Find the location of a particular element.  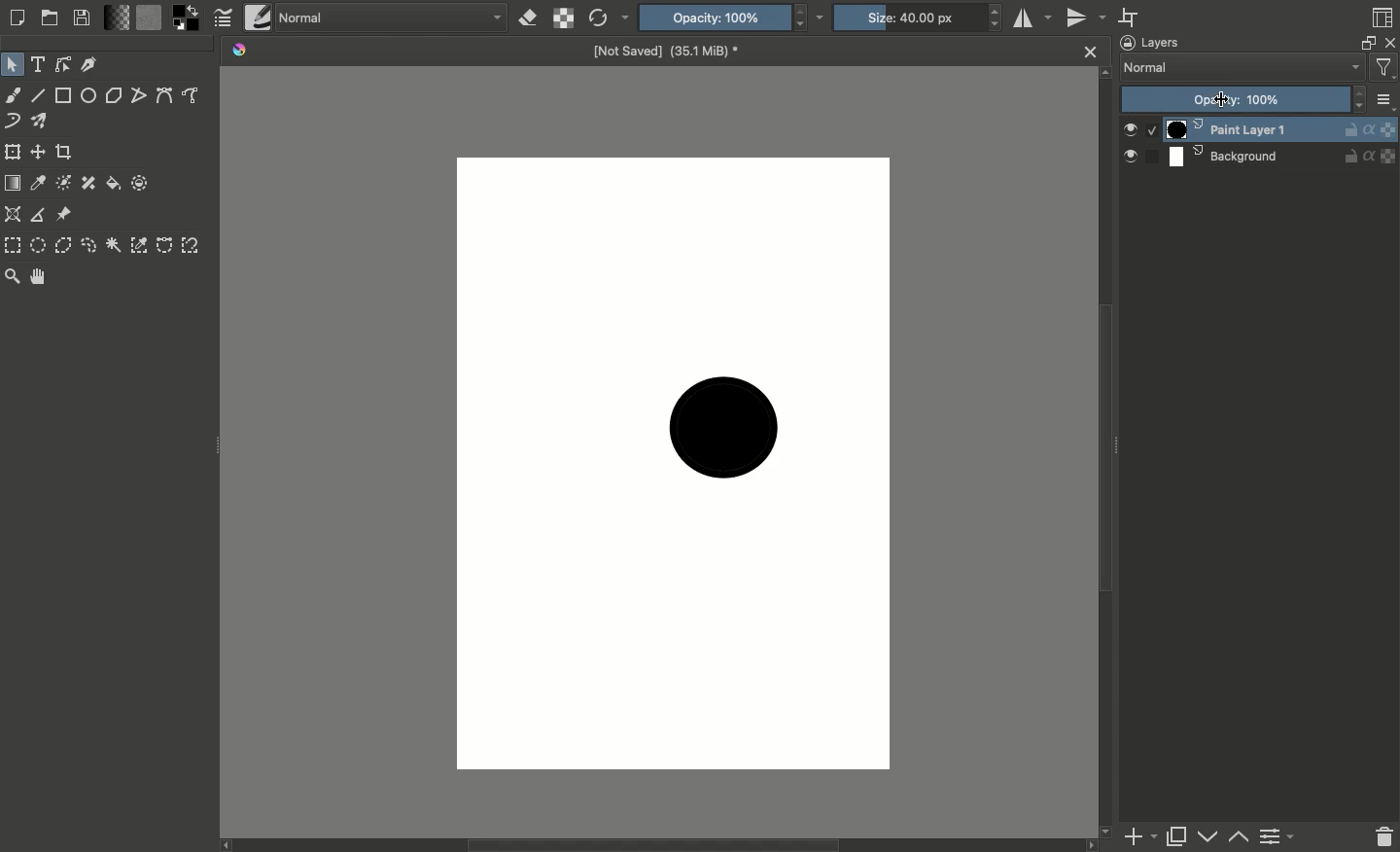

Pan tool is located at coordinates (40, 277).